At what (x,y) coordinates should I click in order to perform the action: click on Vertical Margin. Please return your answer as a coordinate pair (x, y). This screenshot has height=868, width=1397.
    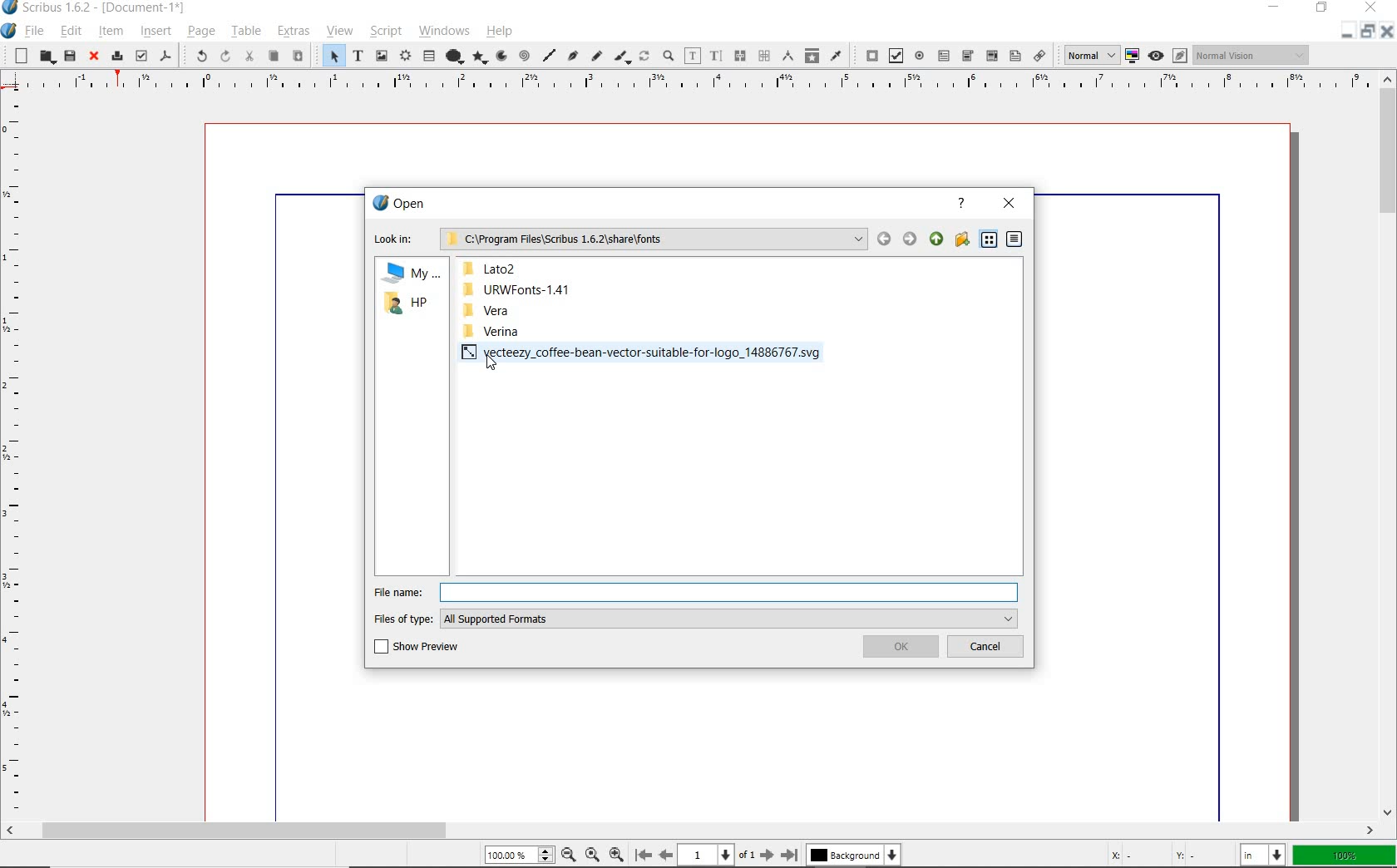
    Looking at the image, I should click on (14, 458).